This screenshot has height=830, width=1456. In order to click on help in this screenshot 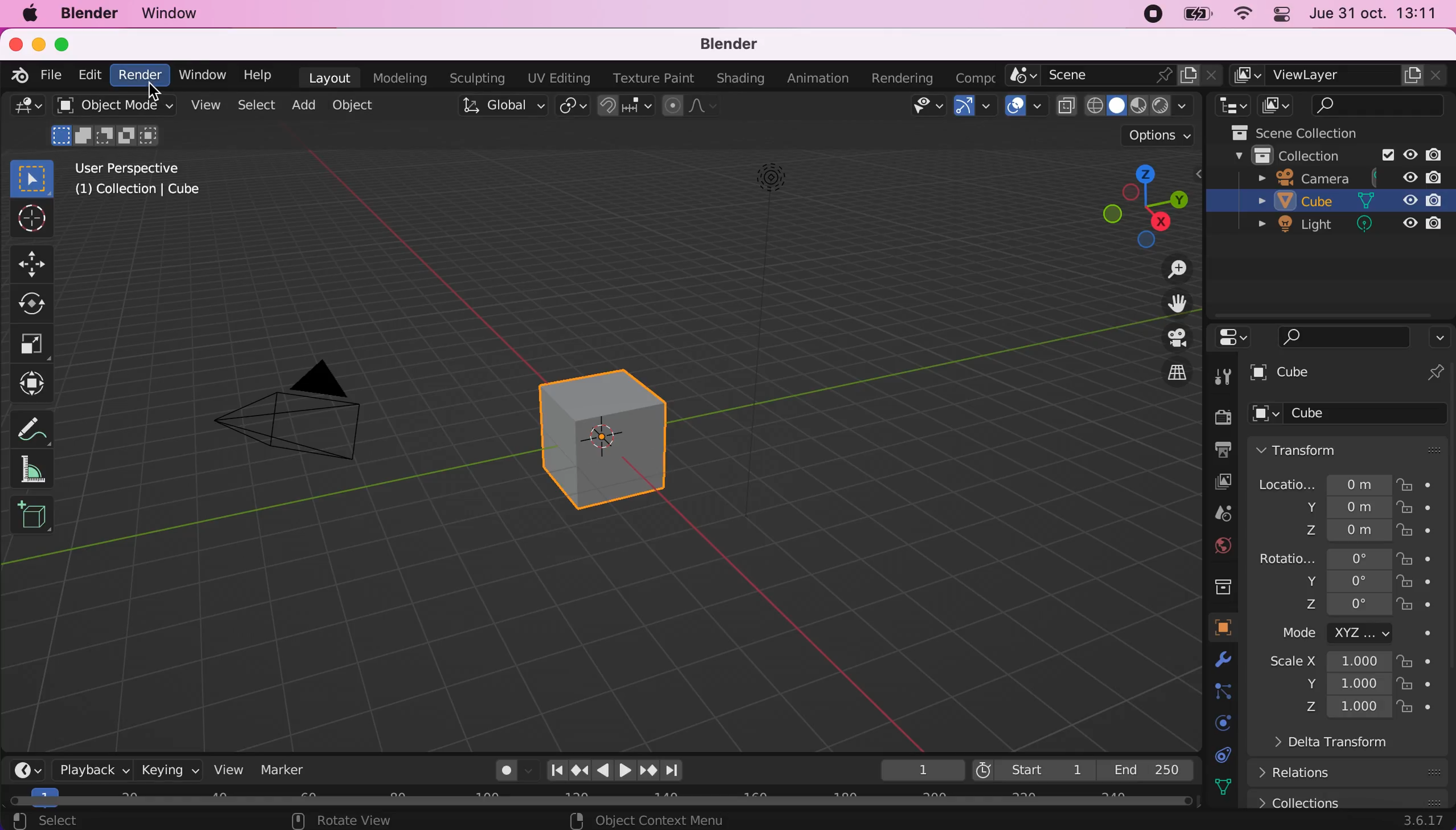, I will do `click(262, 74)`.